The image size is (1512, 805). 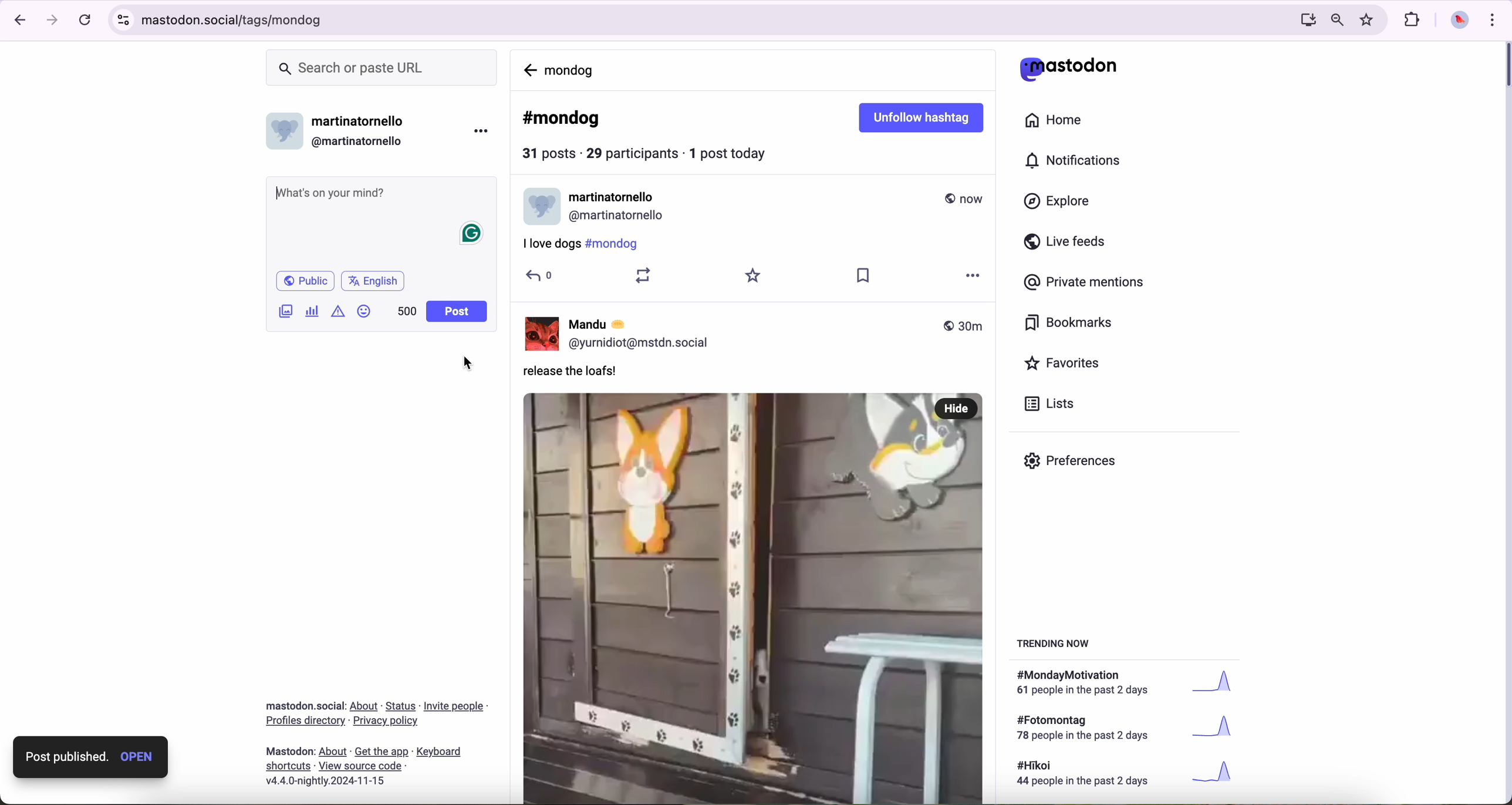 What do you see at coordinates (1217, 773) in the screenshot?
I see `graph` at bounding box center [1217, 773].